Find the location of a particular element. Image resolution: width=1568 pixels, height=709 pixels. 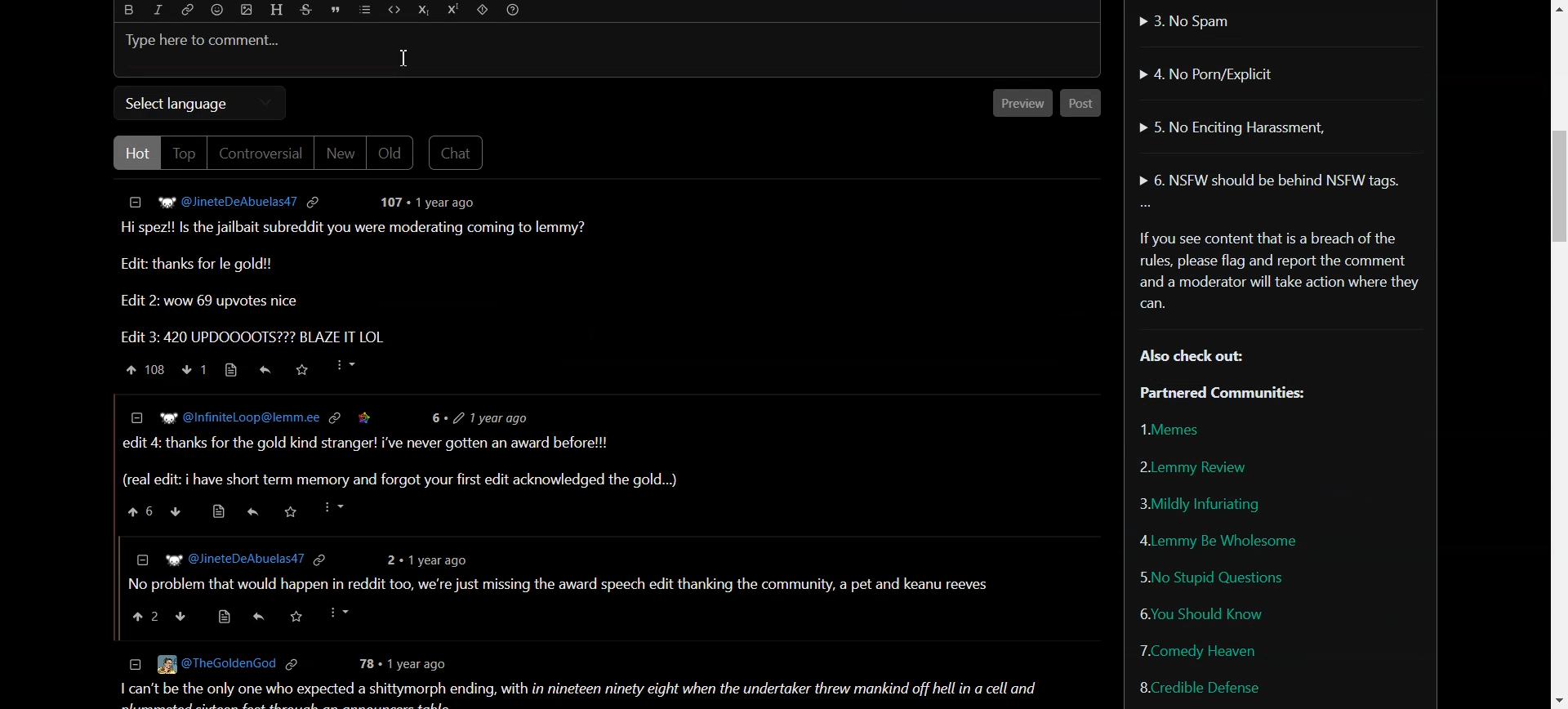

Text is located at coordinates (1277, 271).